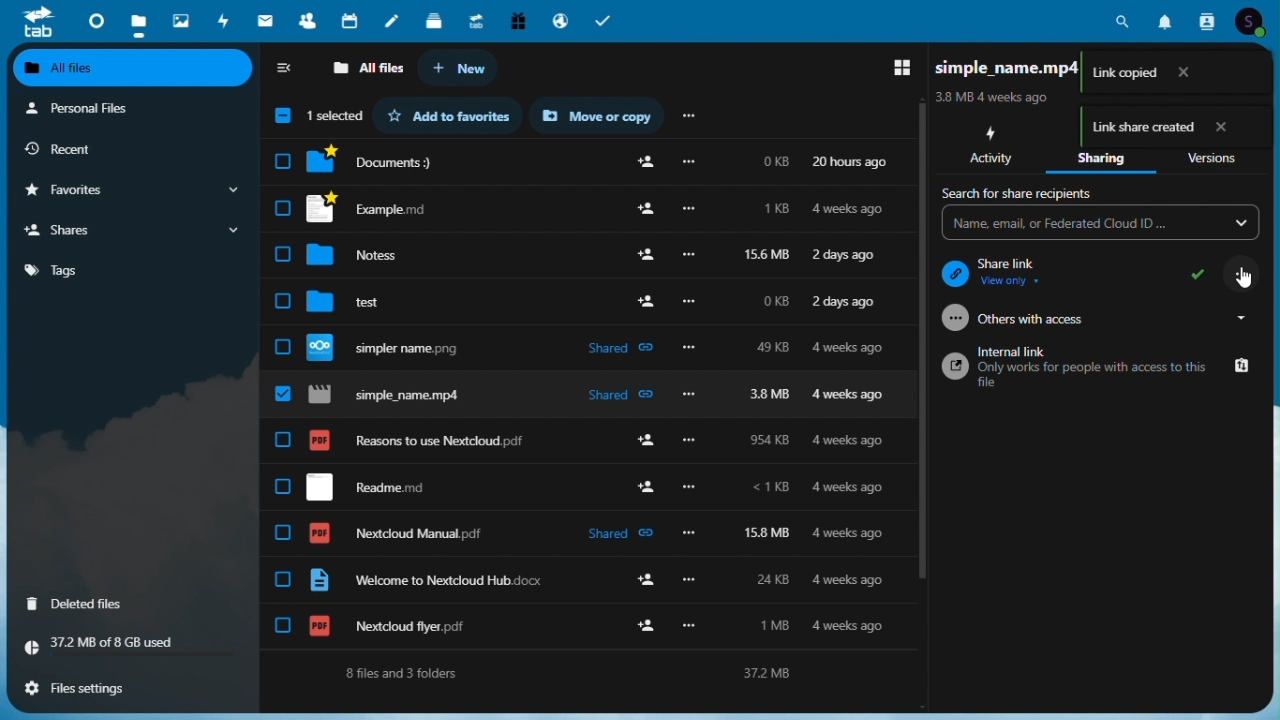 This screenshot has height=720, width=1280. Describe the element at coordinates (894, 68) in the screenshot. I see `Switch to grid view` at that location.